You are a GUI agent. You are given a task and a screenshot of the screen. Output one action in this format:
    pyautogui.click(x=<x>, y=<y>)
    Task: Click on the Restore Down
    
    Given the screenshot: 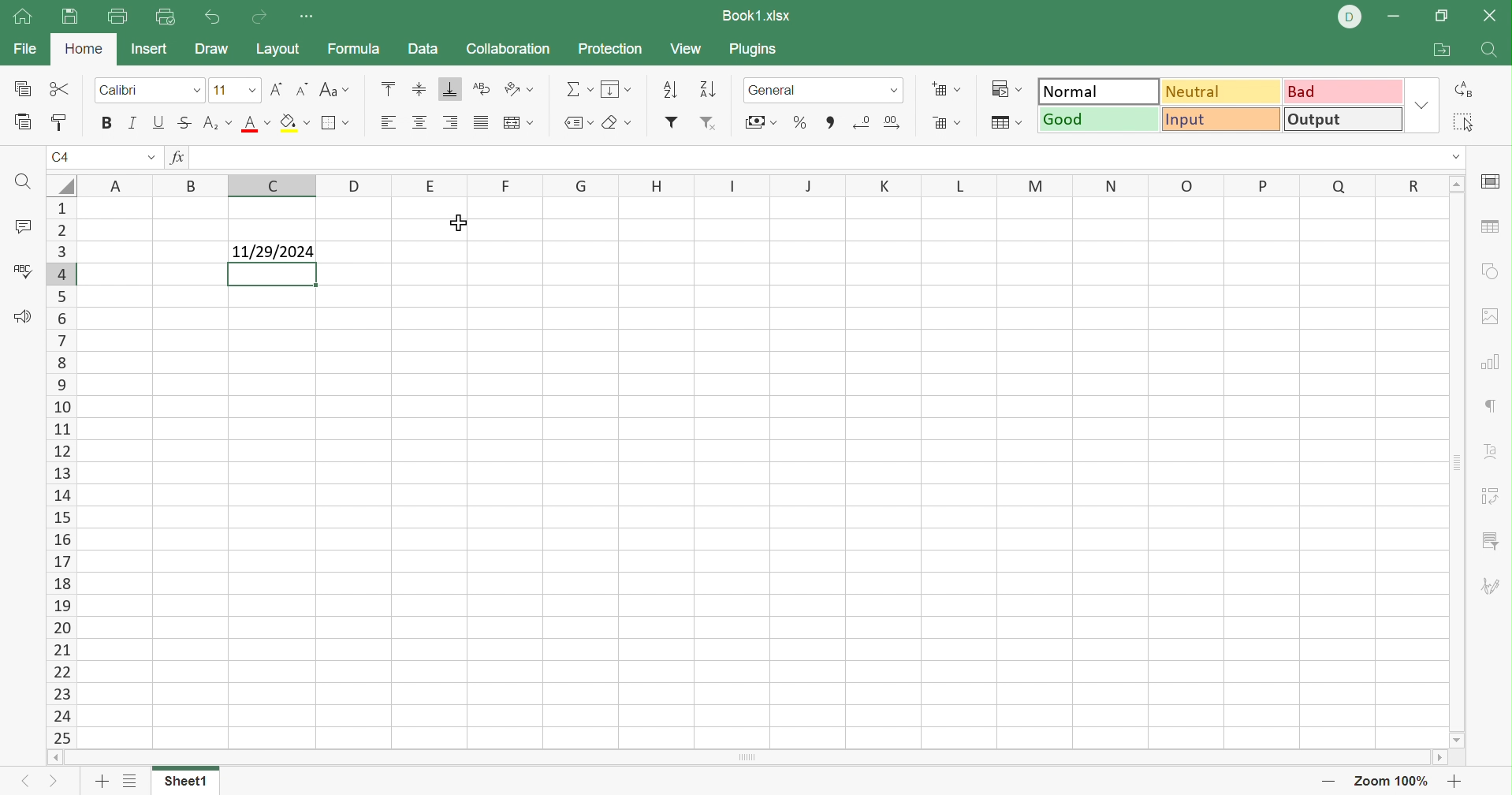 What is the action you would take?
    pyautogui.click(x=1439, y=17)
    